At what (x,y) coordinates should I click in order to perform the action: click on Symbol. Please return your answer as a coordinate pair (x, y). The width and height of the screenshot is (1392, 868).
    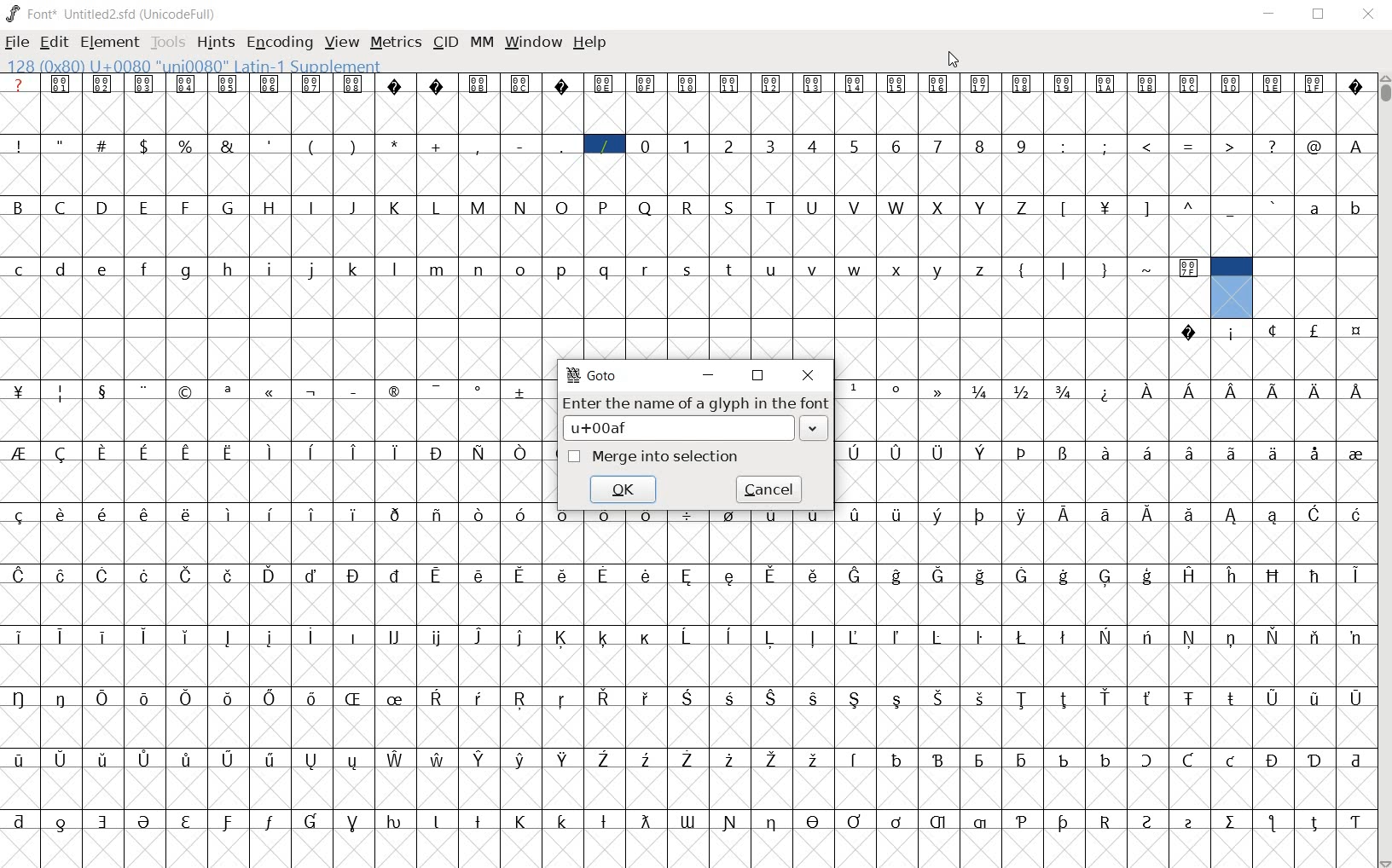
    Looking at the image, I should click on (1231, 332).